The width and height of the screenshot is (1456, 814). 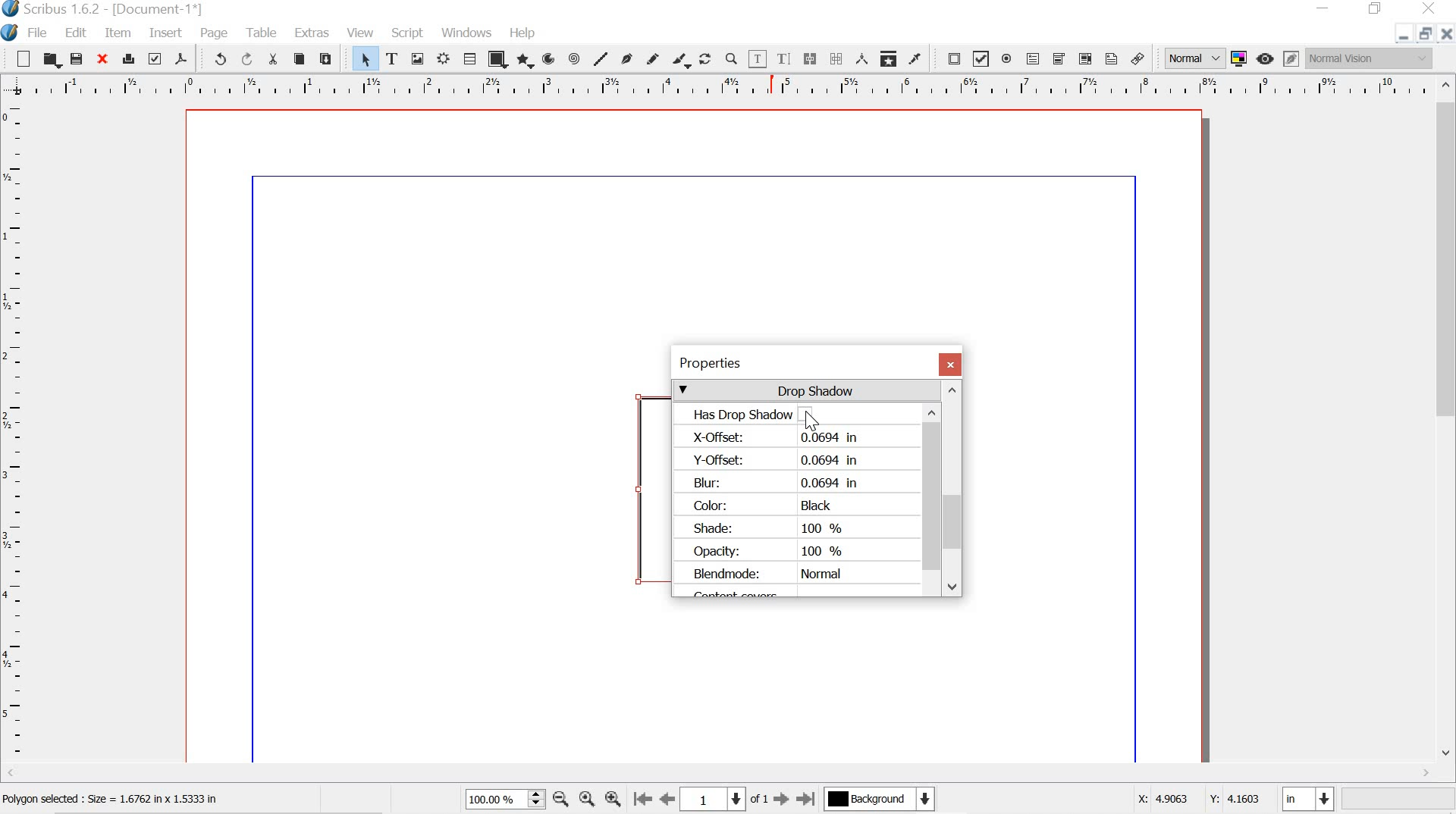 I want to click on line, so click(x=601, y=58).